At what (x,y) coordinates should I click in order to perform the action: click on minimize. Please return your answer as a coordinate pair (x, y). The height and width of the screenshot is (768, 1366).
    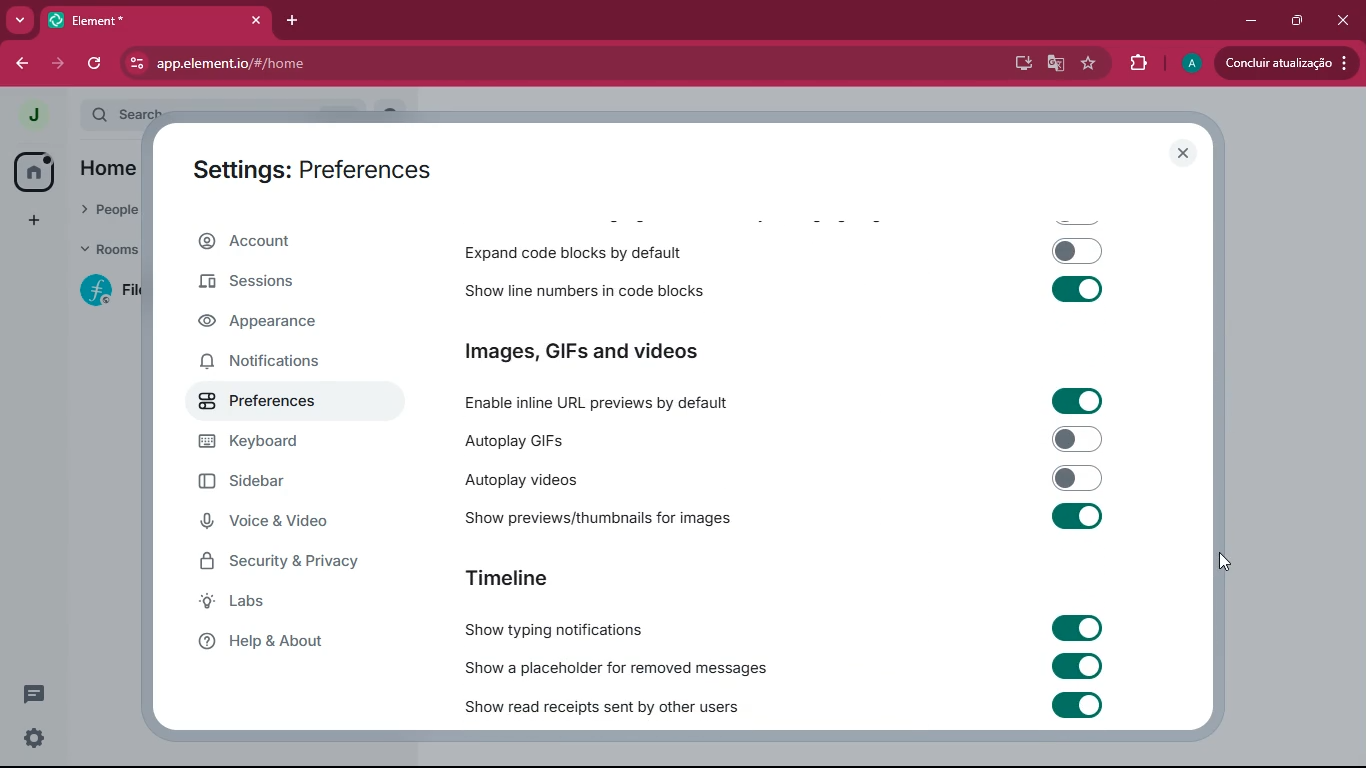
    Looking at the image, I should click on (1252, 21).